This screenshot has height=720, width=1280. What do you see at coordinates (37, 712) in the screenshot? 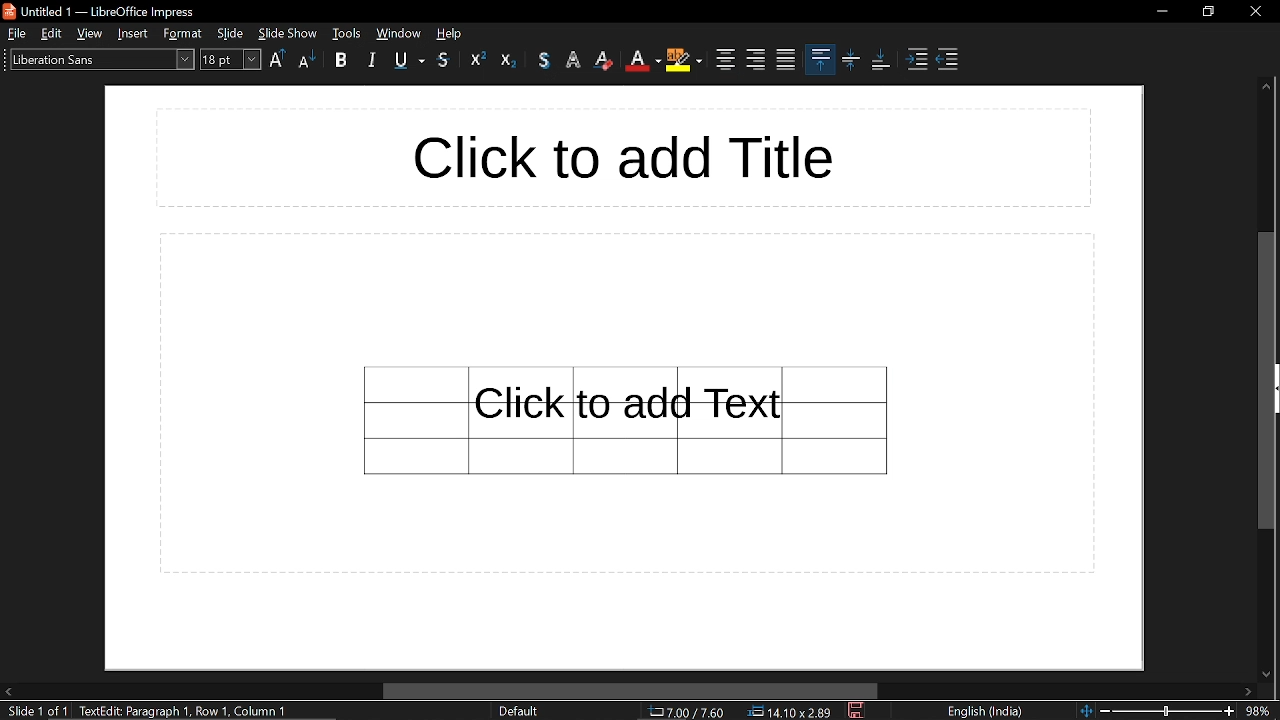
I see `slide 1 of 1` at bounding box center [37, 712].